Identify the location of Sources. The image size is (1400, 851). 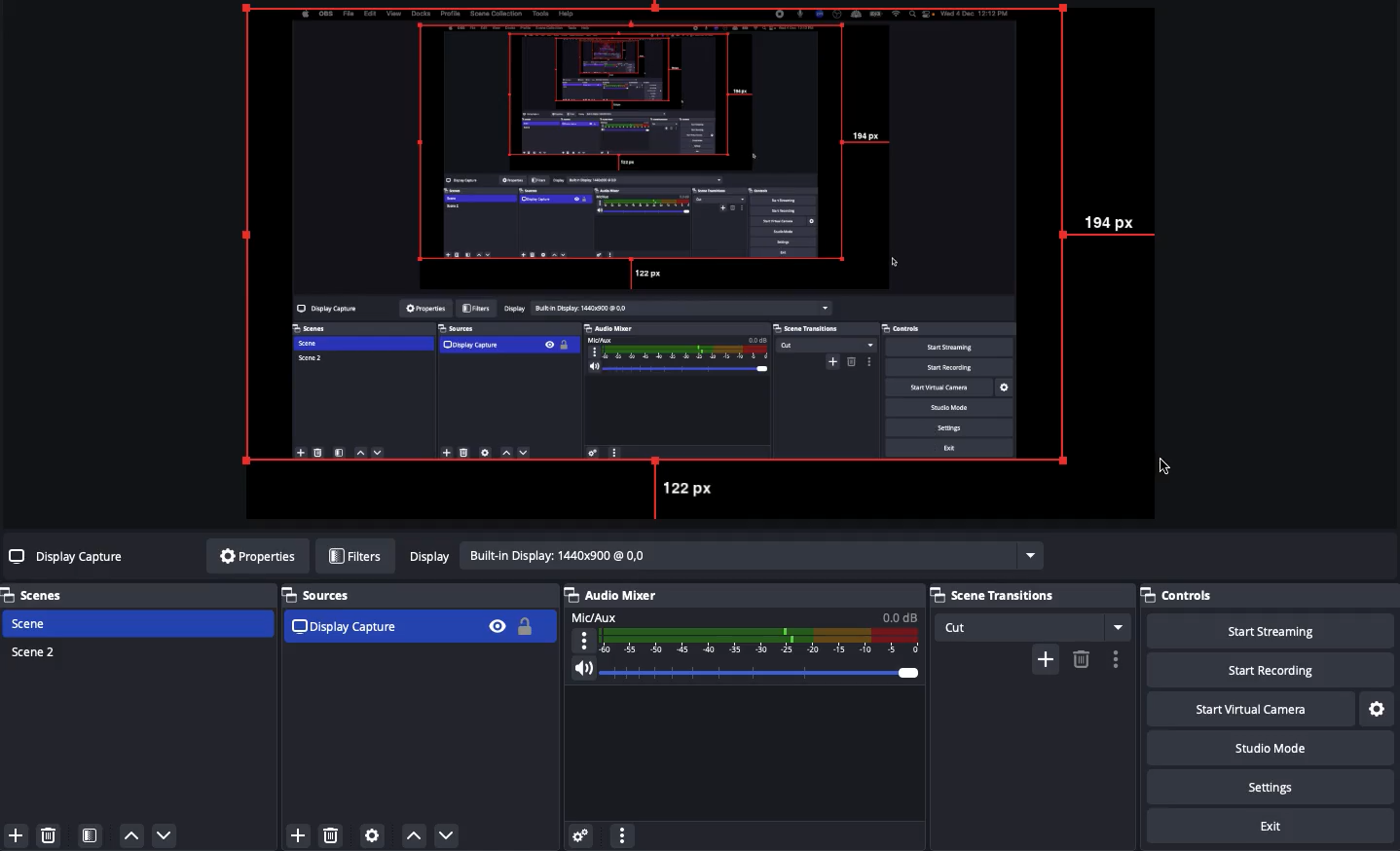
(417, 615).